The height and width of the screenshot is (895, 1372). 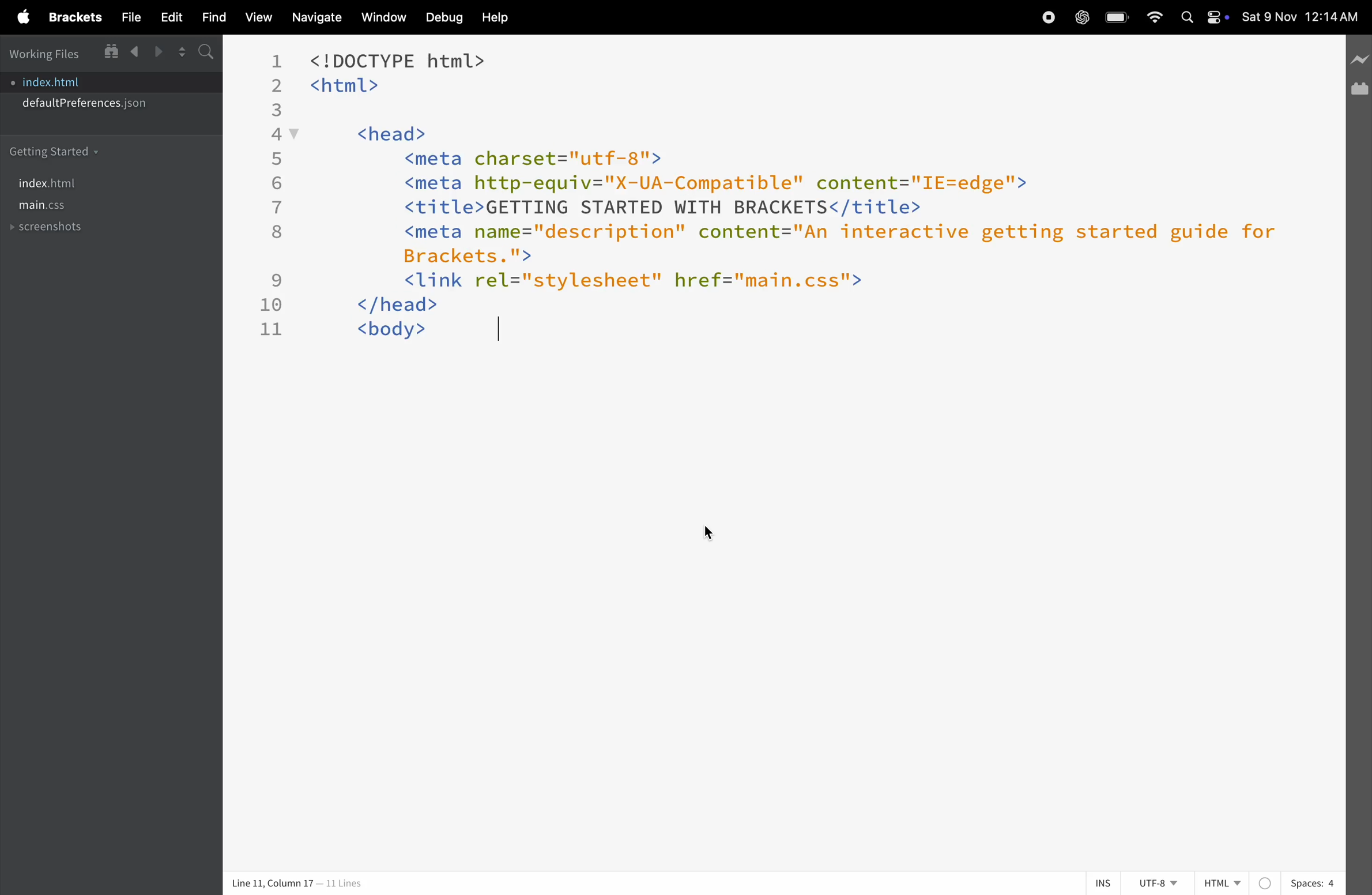 What do you see at coordinates (104, 206) in the screenshot?
I see `main.css` at bounding box center [104, 206].